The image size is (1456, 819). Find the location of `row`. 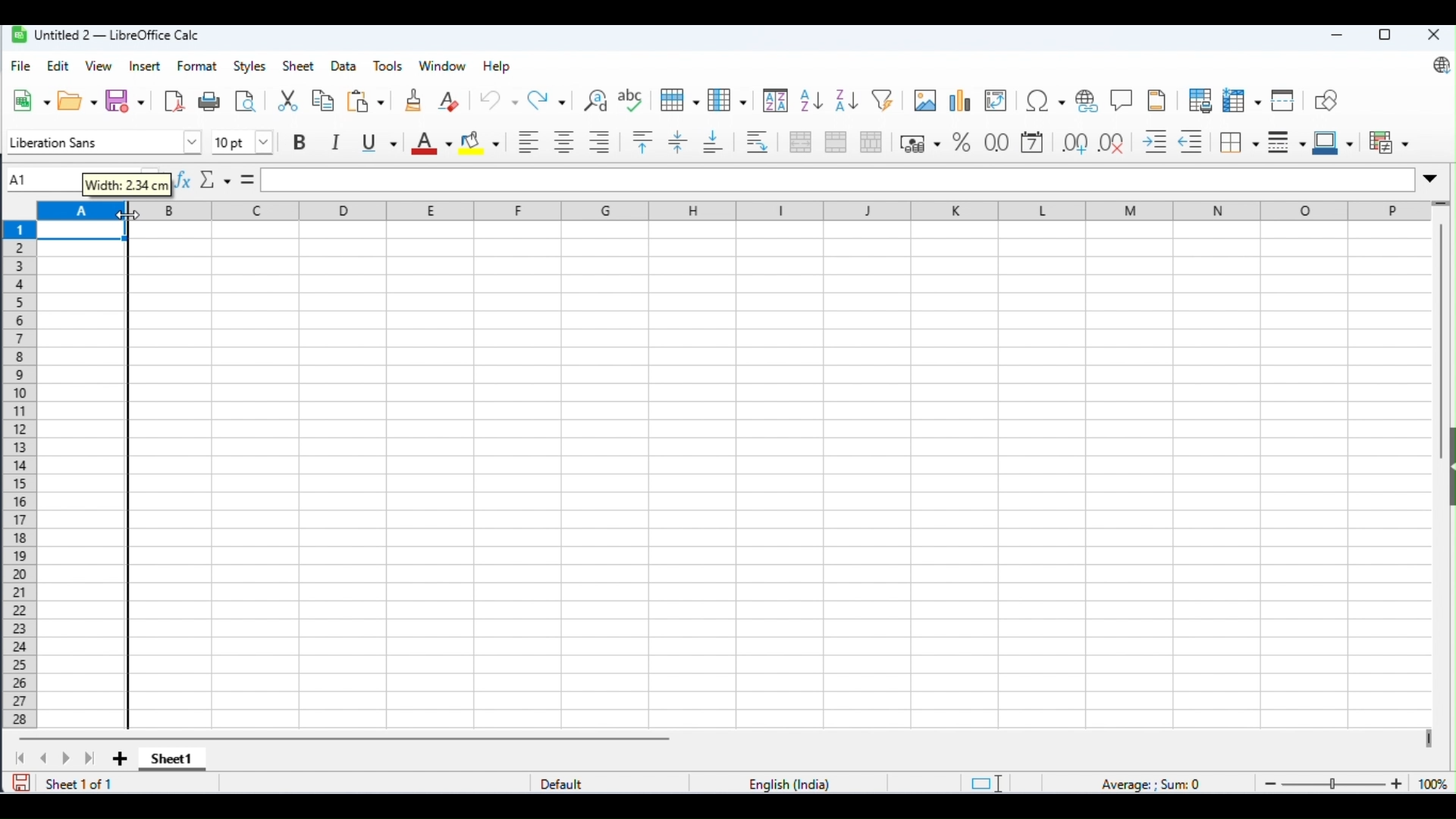

row is located at coordinates (679, 100).